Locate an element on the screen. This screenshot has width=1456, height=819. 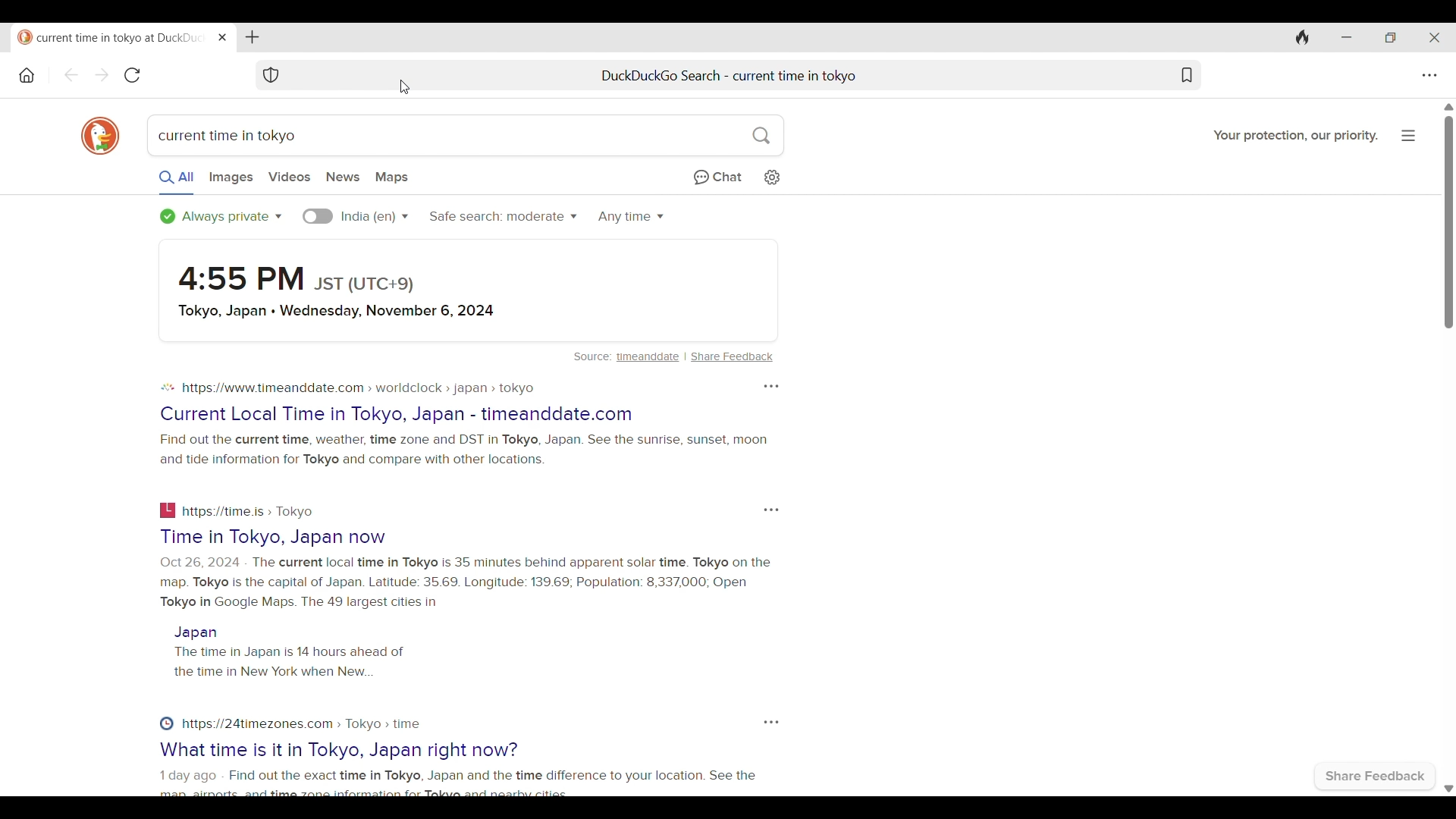
Close interface is located at coordinates (1435, 38).